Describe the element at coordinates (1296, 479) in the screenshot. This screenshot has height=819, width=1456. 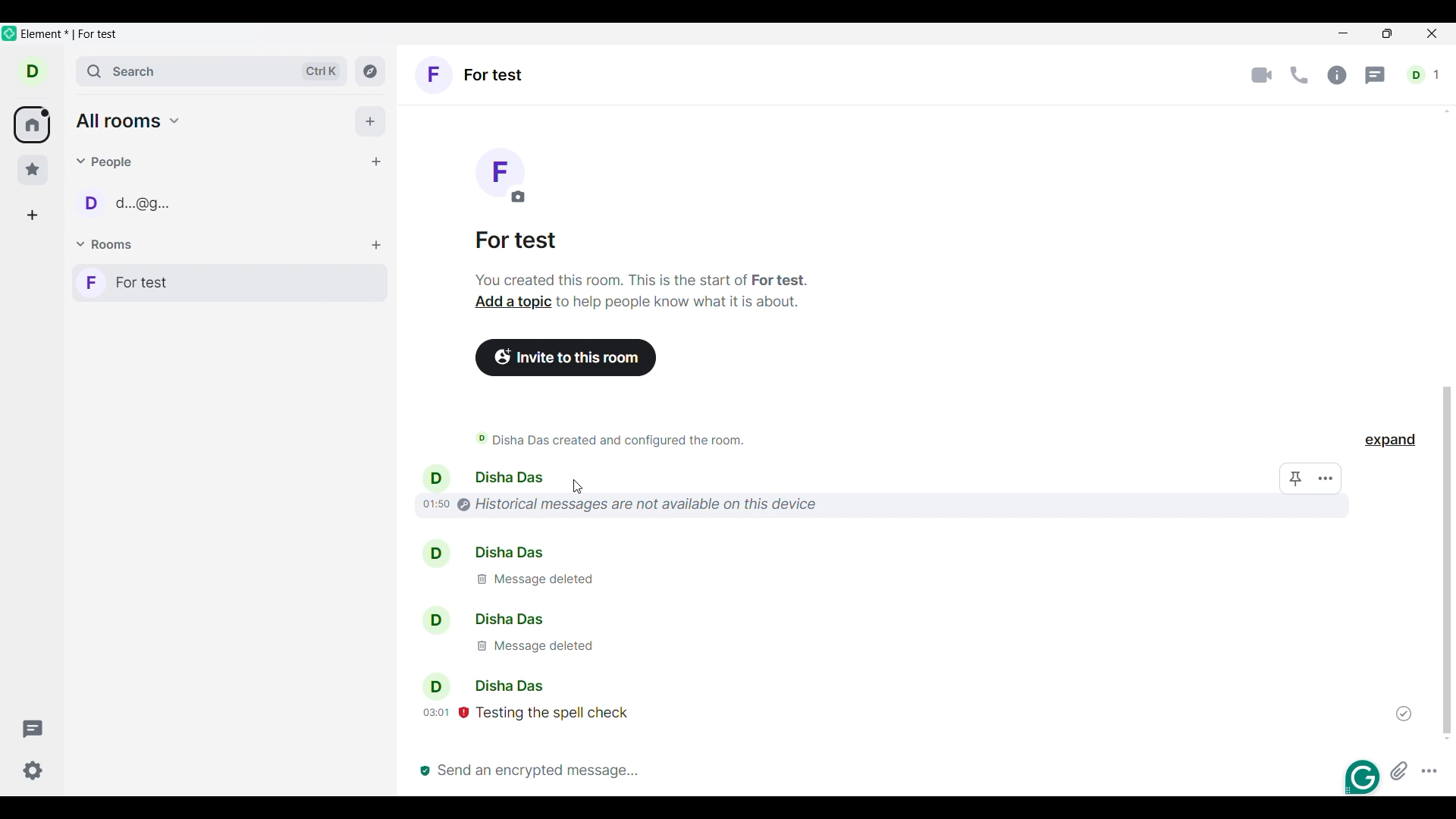
I see `Pin` at that location.